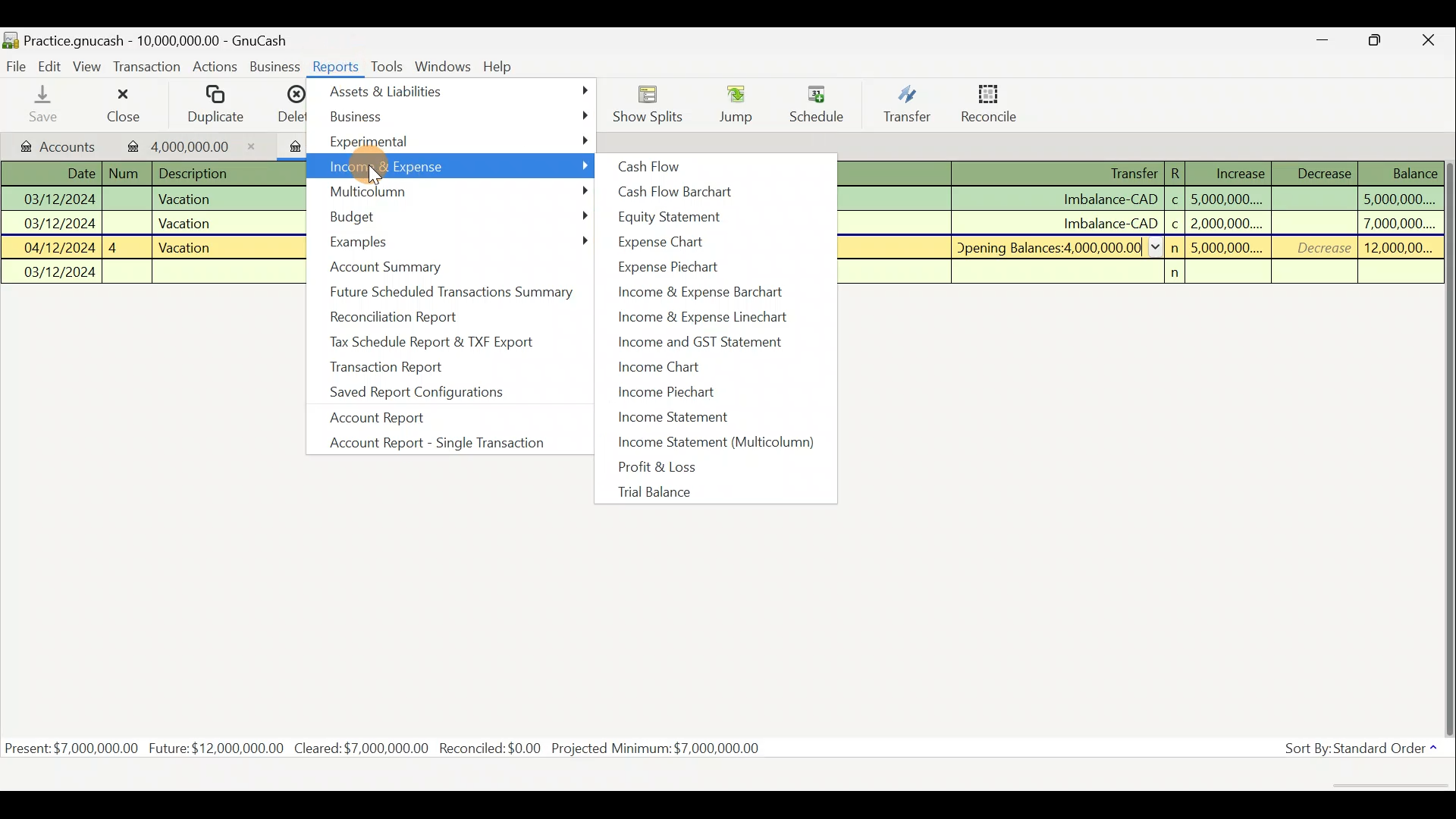 Image resolution: width=1456 pixels, height=819 pixels. What do you see at coordinates (996, 105) in the screenshot?
I see `Reconcile` at bounding box center [996, 105].